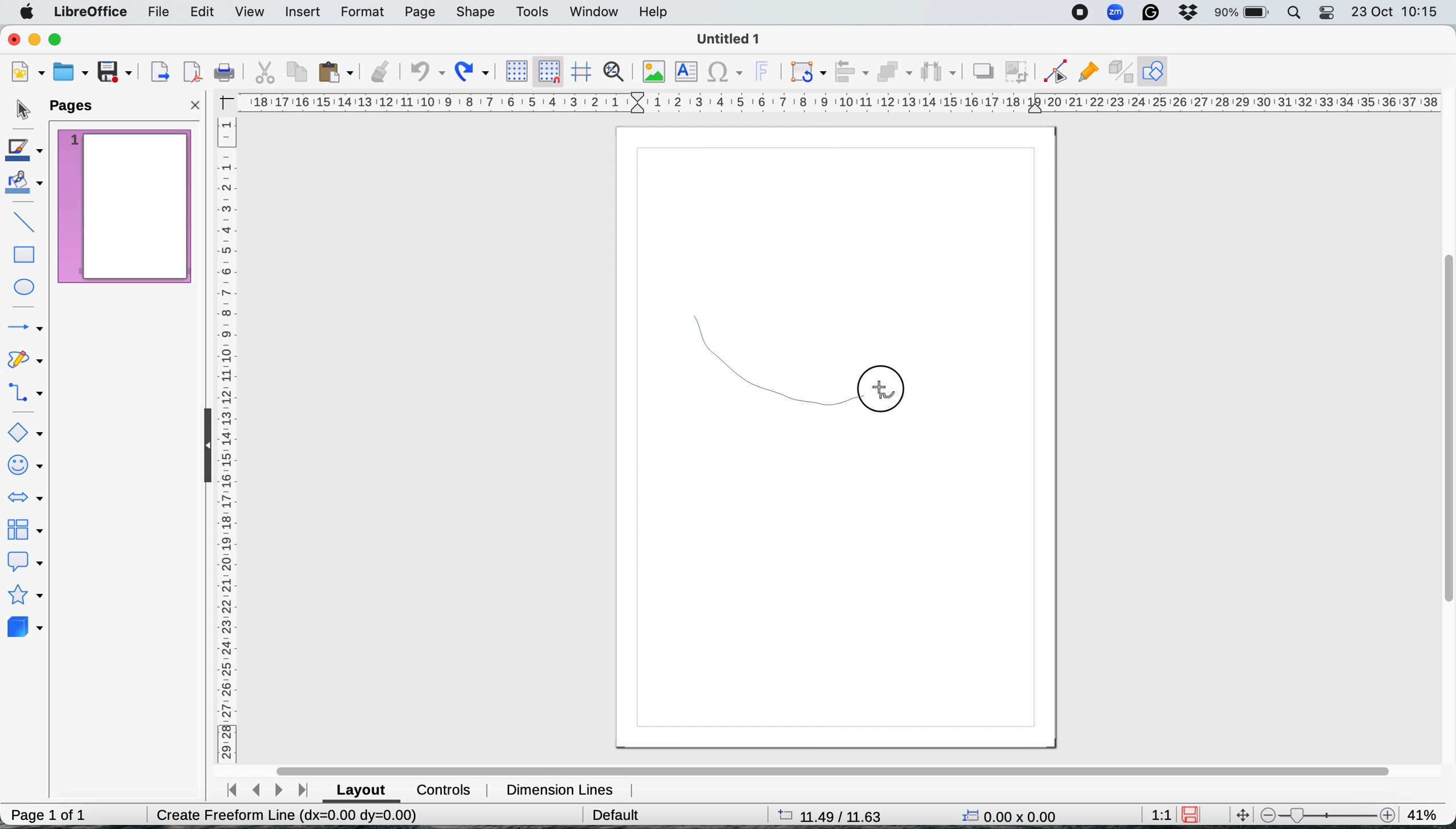 The width and height of the screenshot is (1456, 829). Describe the element at coordinates (192, 71) in the screenshot. I see `export directly as pdf` at that location.